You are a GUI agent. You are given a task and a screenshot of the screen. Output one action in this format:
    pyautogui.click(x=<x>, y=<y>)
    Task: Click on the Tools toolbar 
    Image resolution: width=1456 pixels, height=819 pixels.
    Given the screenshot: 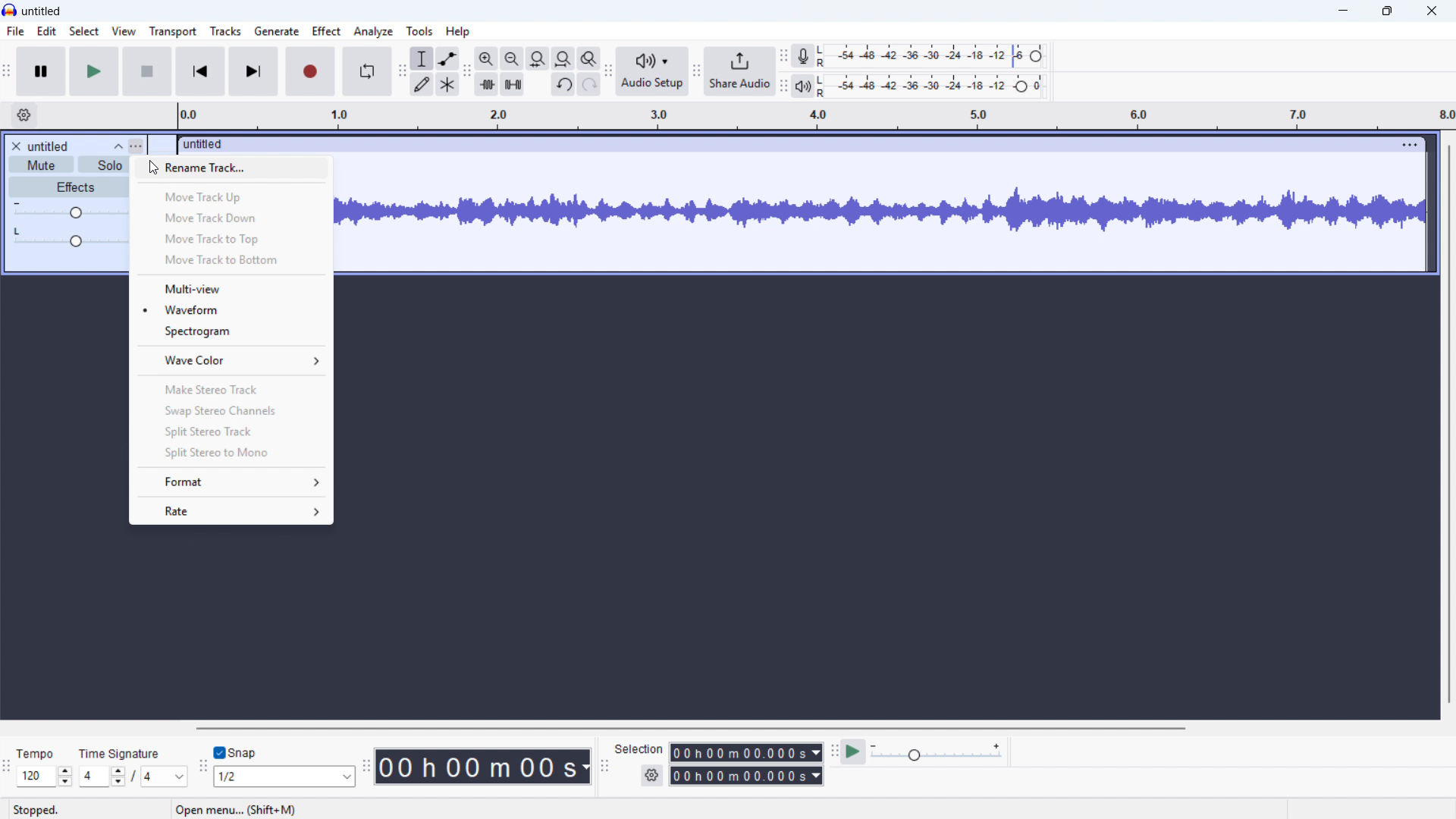 What is the action you would take?
    pyautogui.click(x=400, y=71)
    